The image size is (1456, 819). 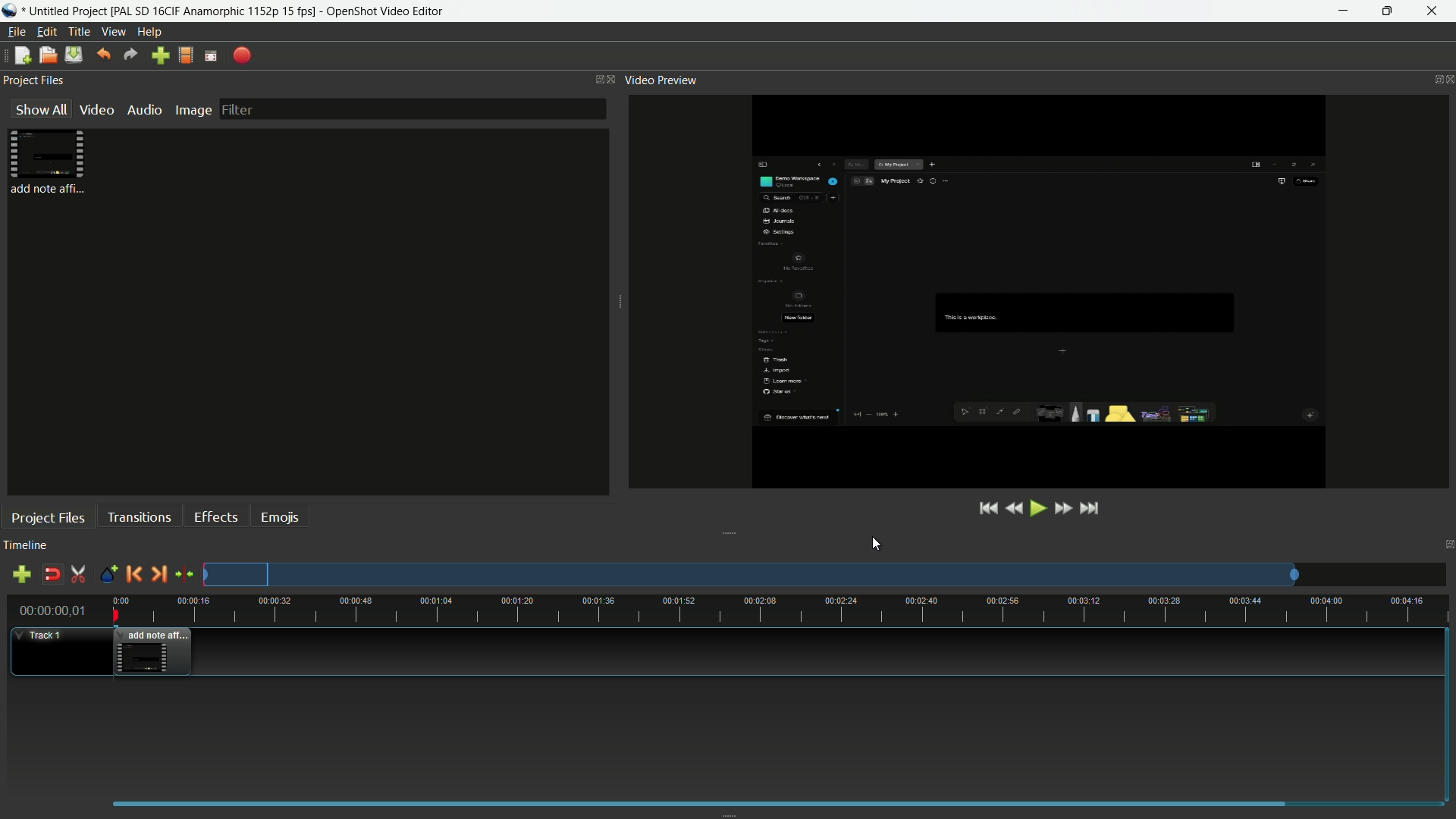 What do you see at coordinates (143, 111) in the screenshot?
I see `audio` at bounding box center [143, 111].